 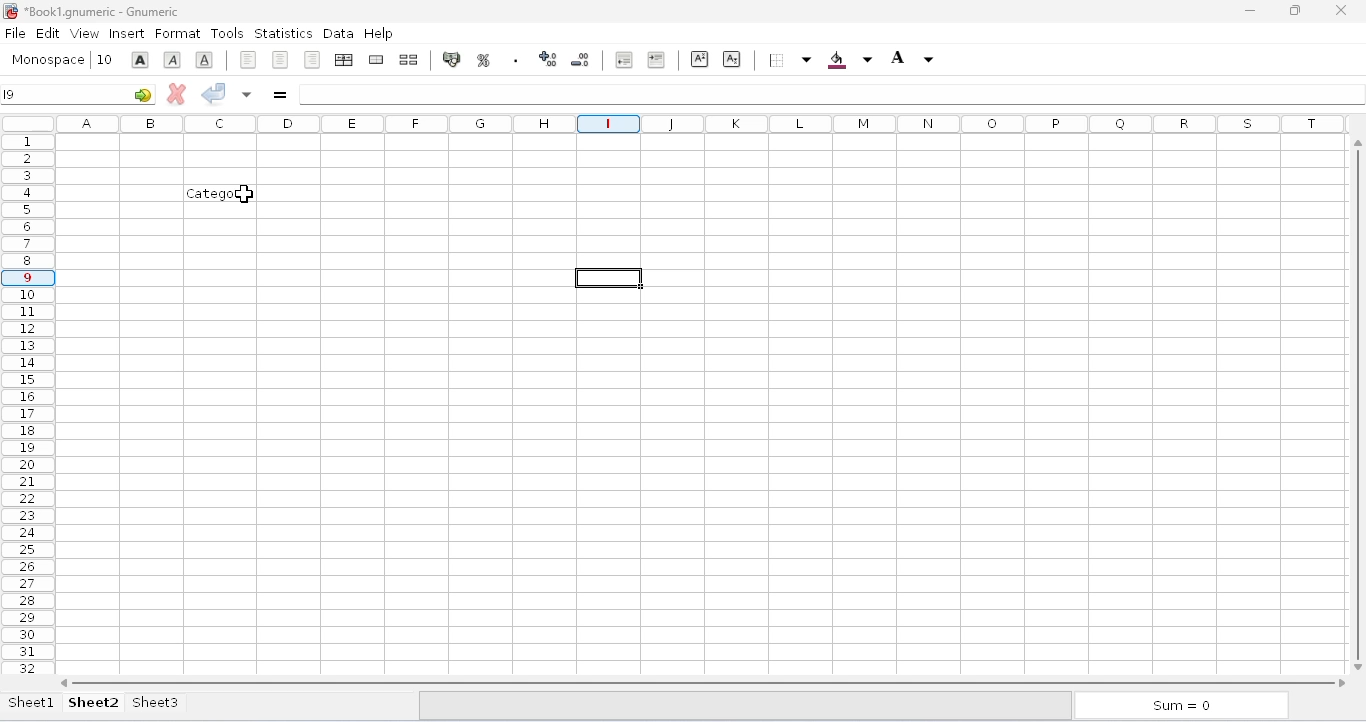 I want to click on sheet3, so click(x=155, y=702).